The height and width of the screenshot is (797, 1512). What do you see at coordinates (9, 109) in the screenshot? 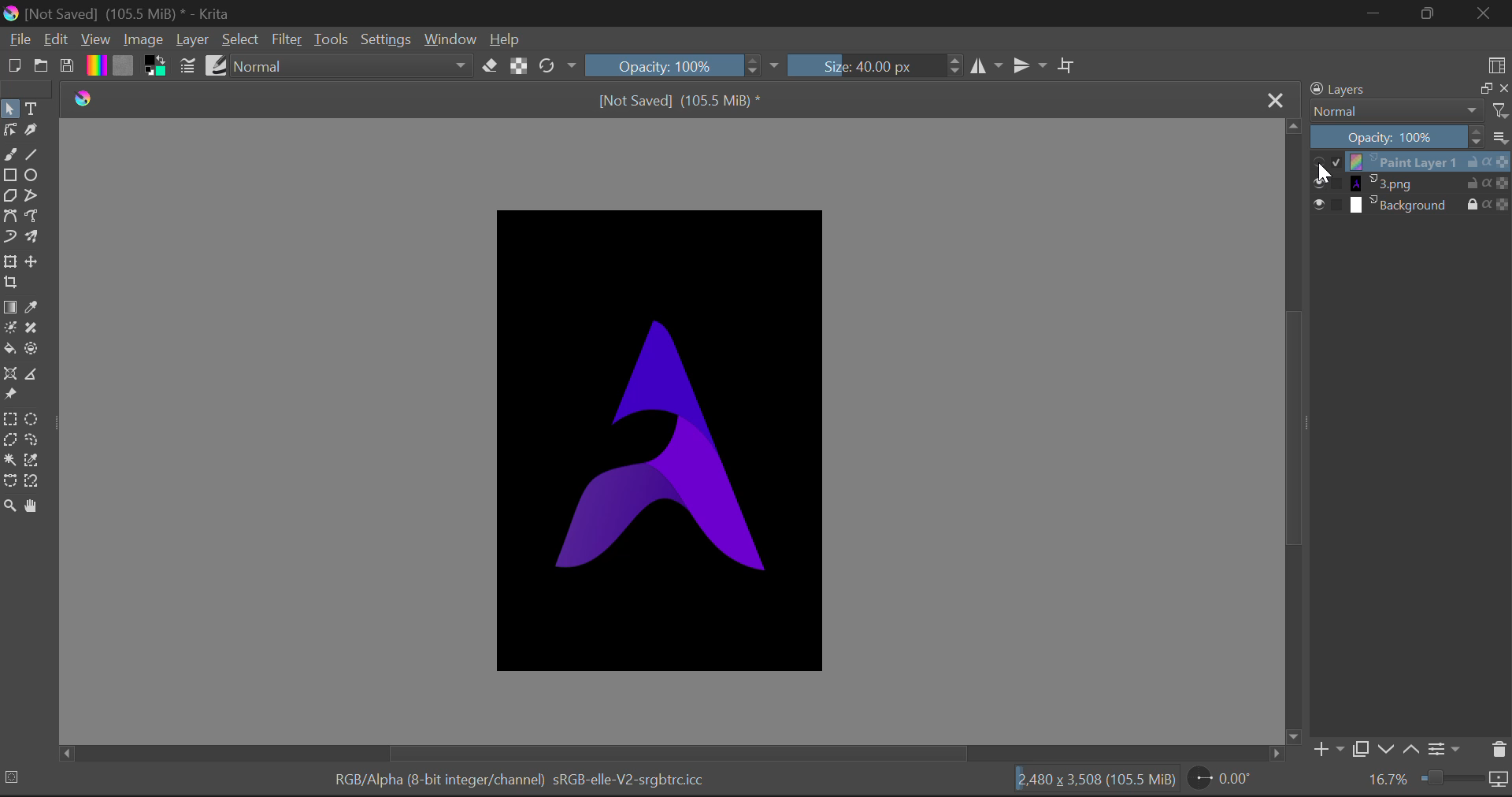
I see `Select` at bounding box center [9, 109].